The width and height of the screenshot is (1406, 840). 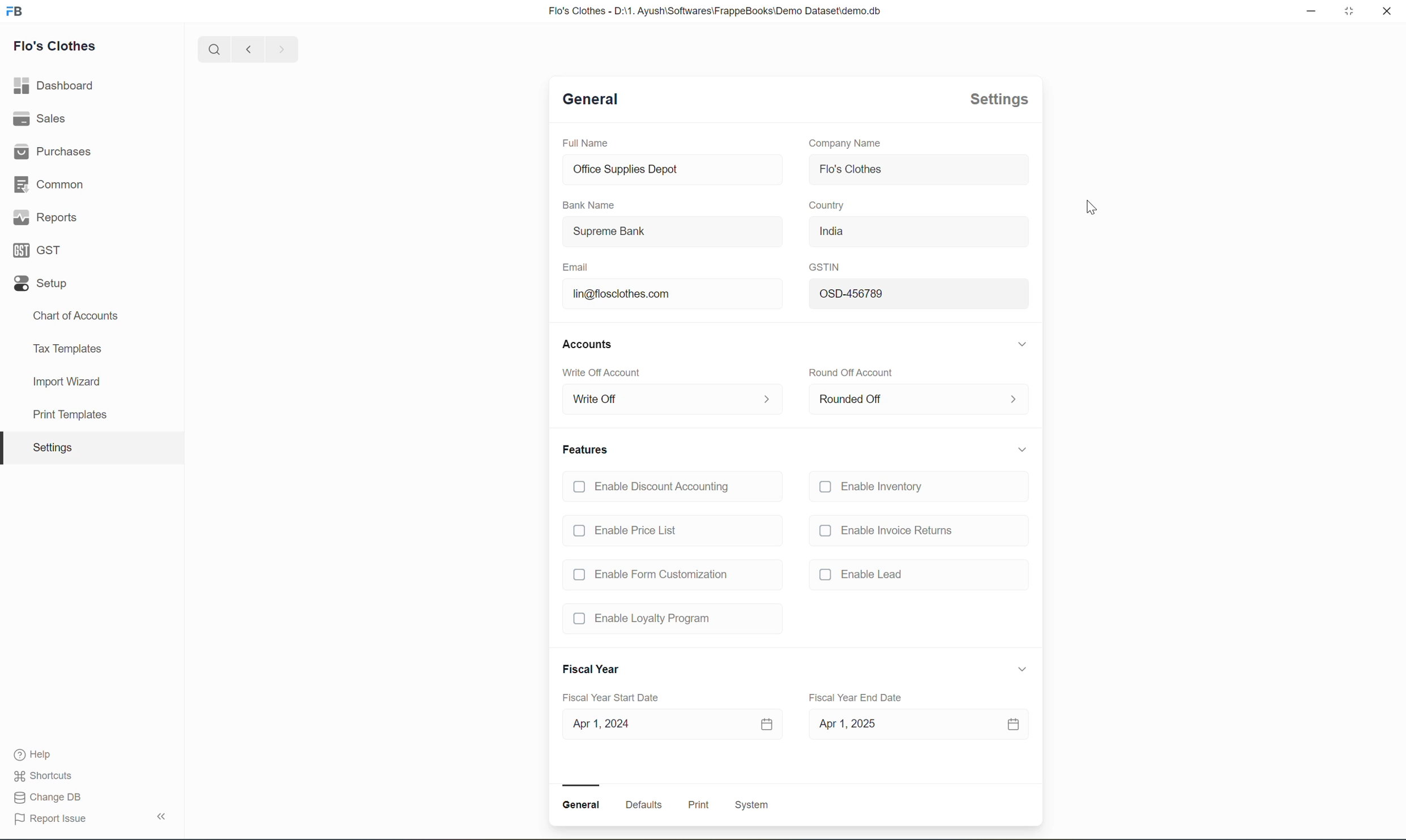 What do you see at coordinates (1386, 10) in the screenshot?
I see `close` at bounding box center [1386, 10].